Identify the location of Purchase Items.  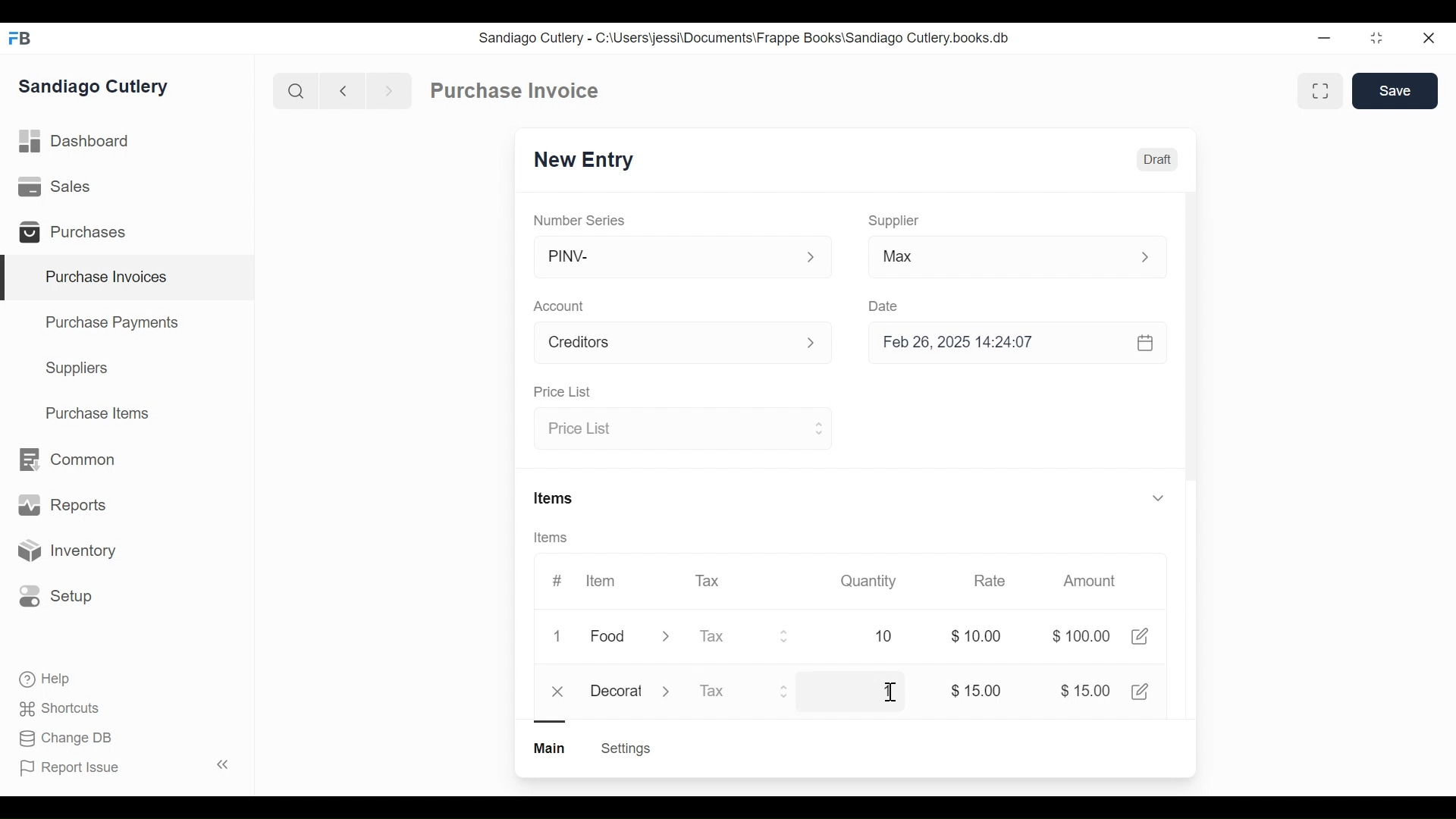
(98, 415).